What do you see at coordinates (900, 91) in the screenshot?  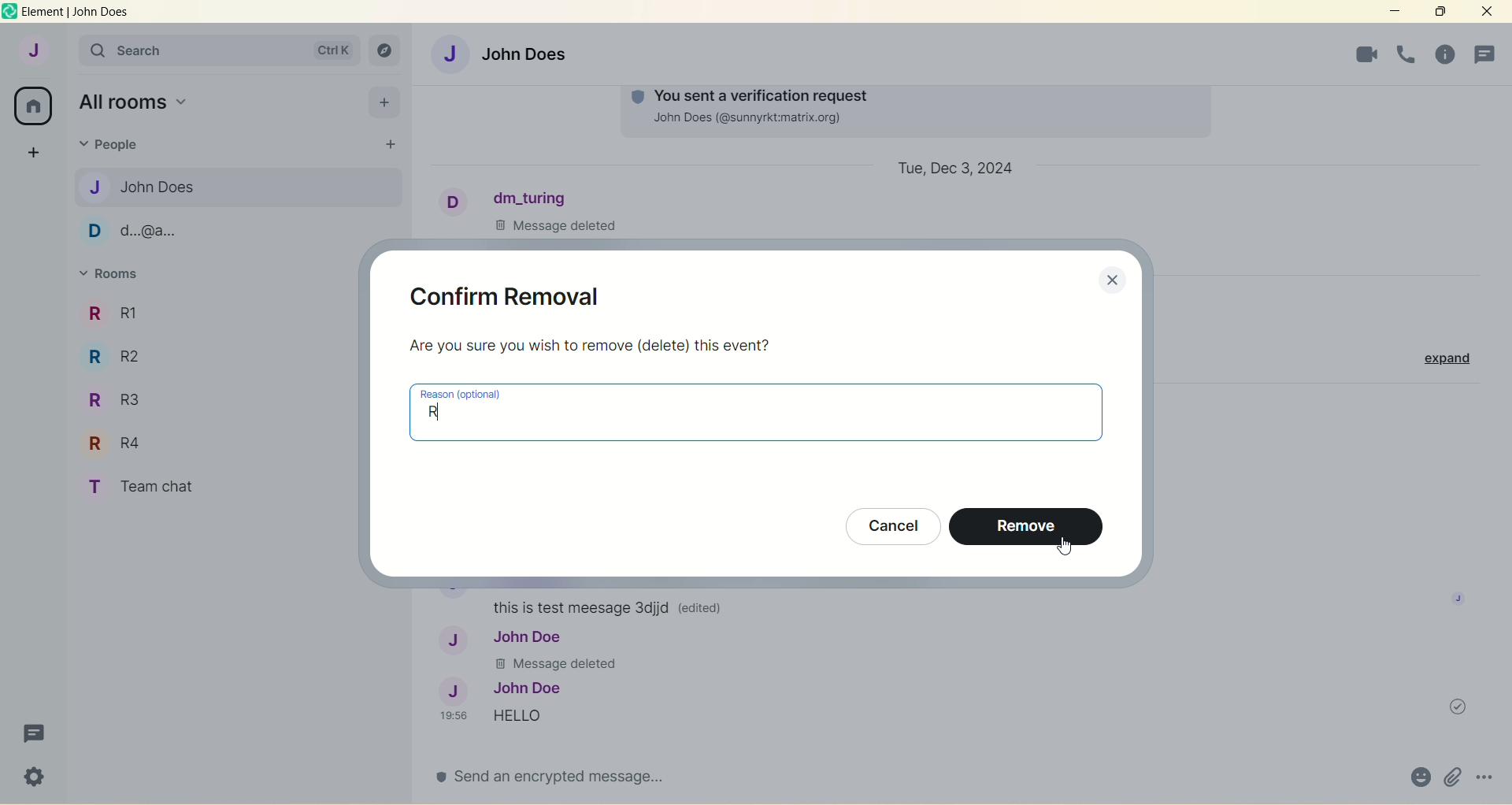 I see `You Sent a verification request ` at bounding box center [900, 91].